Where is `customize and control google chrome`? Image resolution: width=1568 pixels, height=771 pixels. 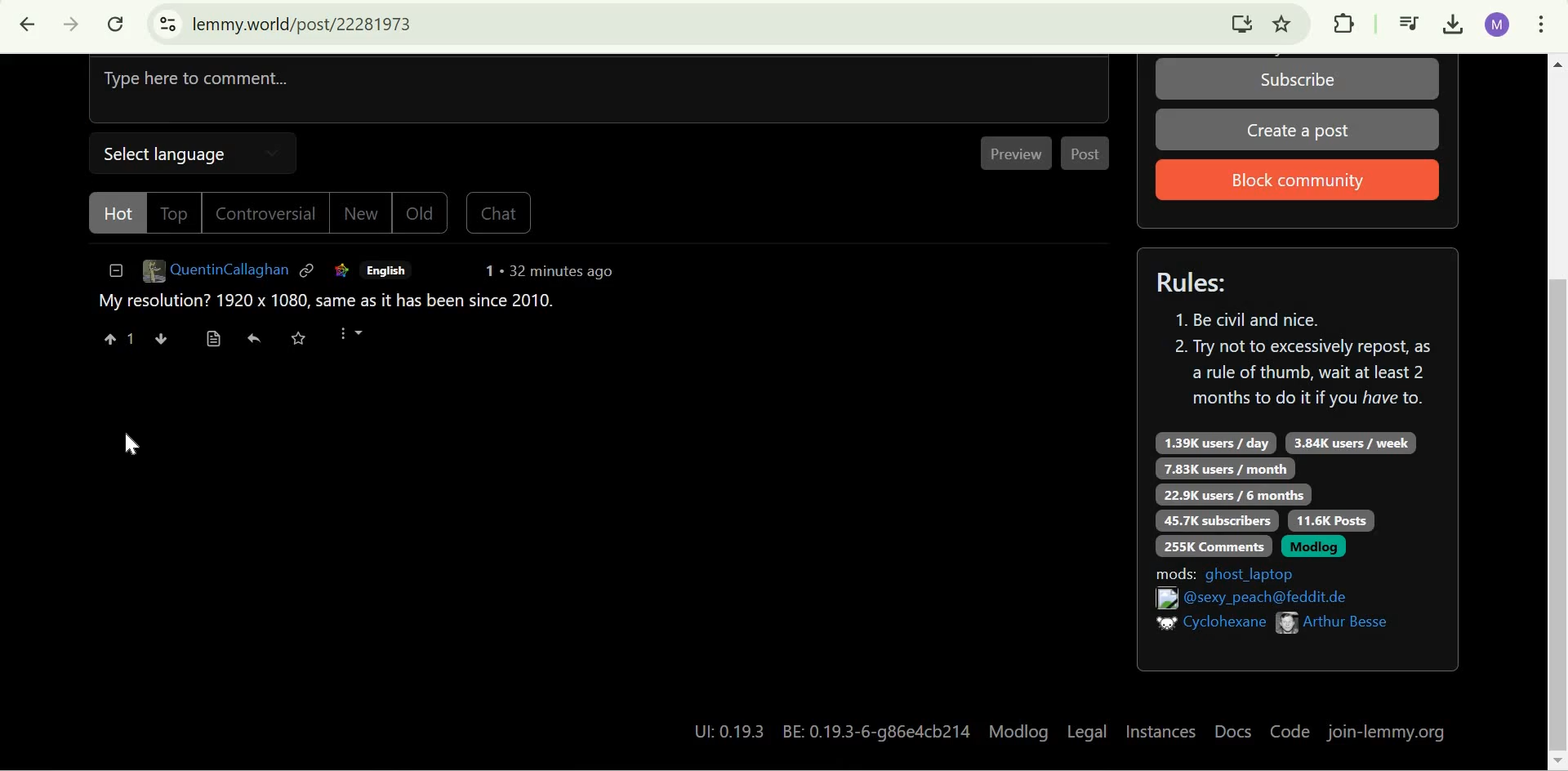 customize and control google chrome is located at coordinates (1541, 27).